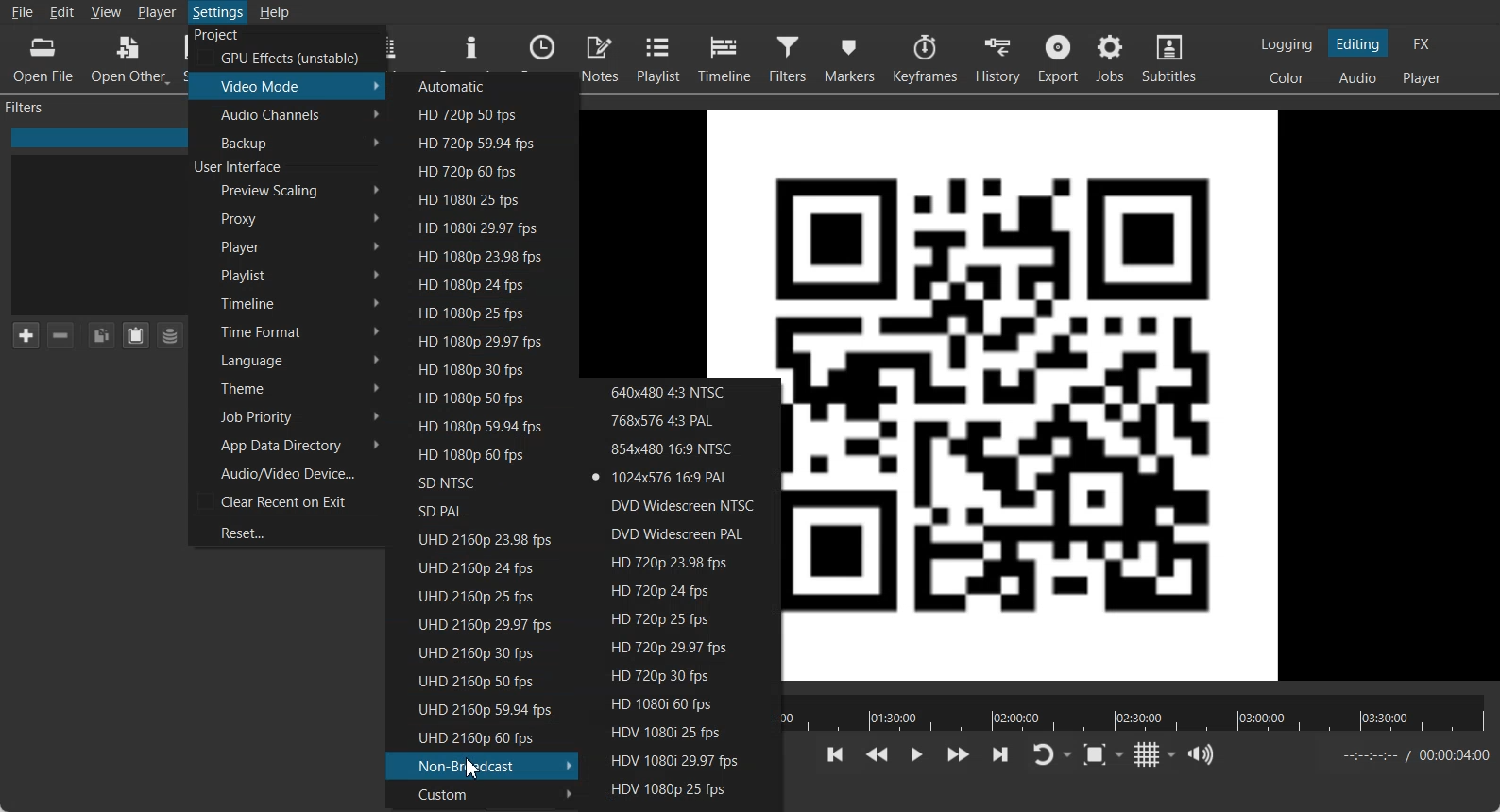  What do you see at coordinates (286, 445) in the screenshot?
I see `App Data Directory` at bounding box center [286, 445].